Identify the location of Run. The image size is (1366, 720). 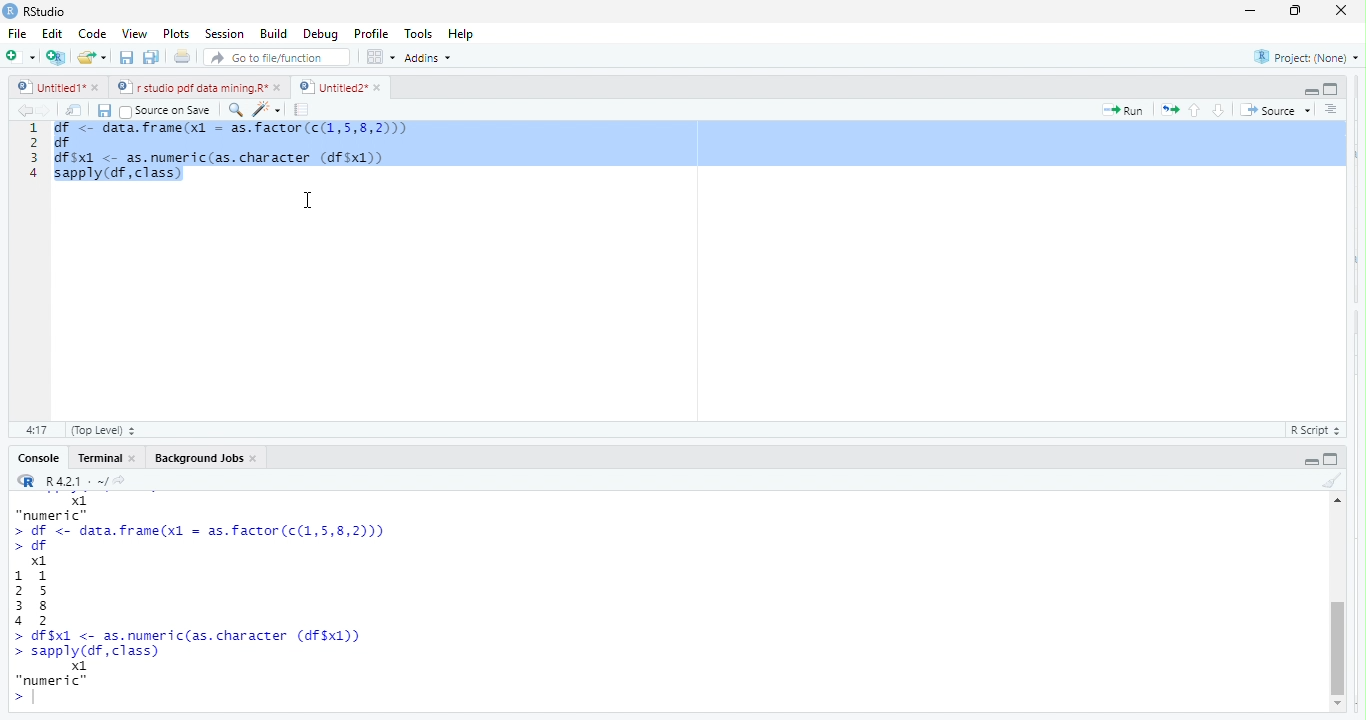
(1121, 112).